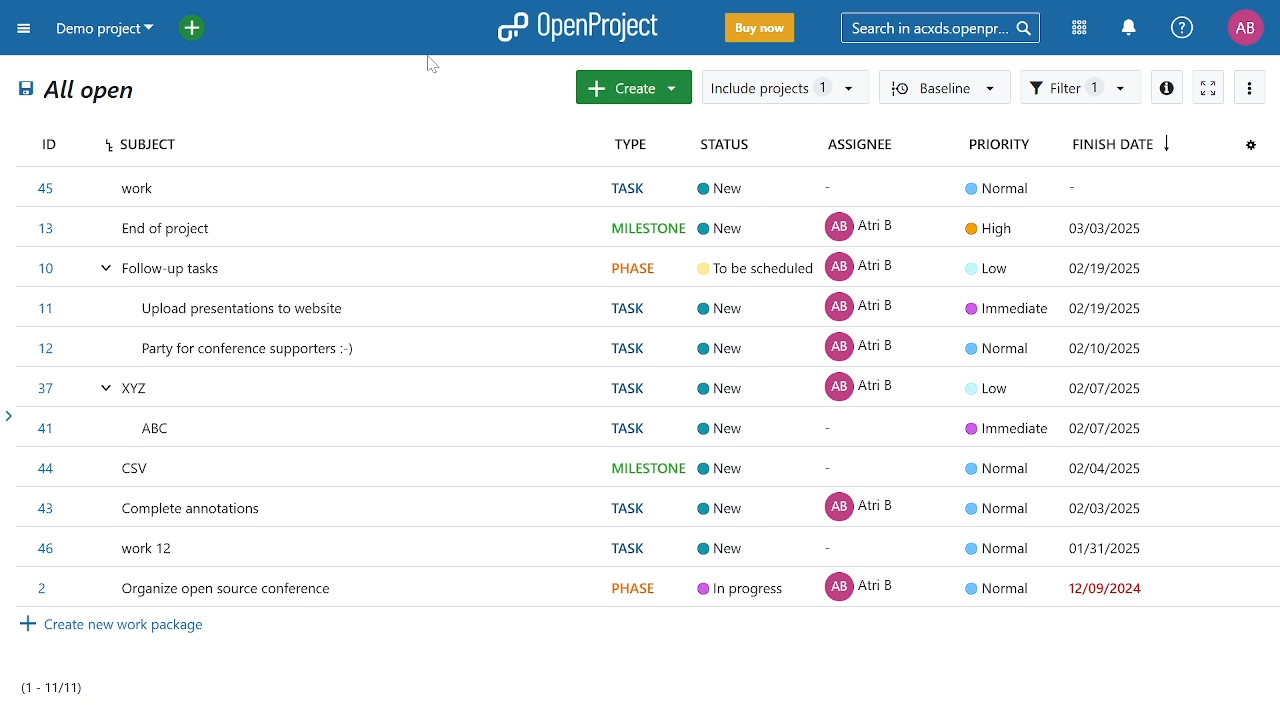  Describe the element at coordinates (645, 306) in the screenshot. I see `task titled "Party for party supporters"` at that location.